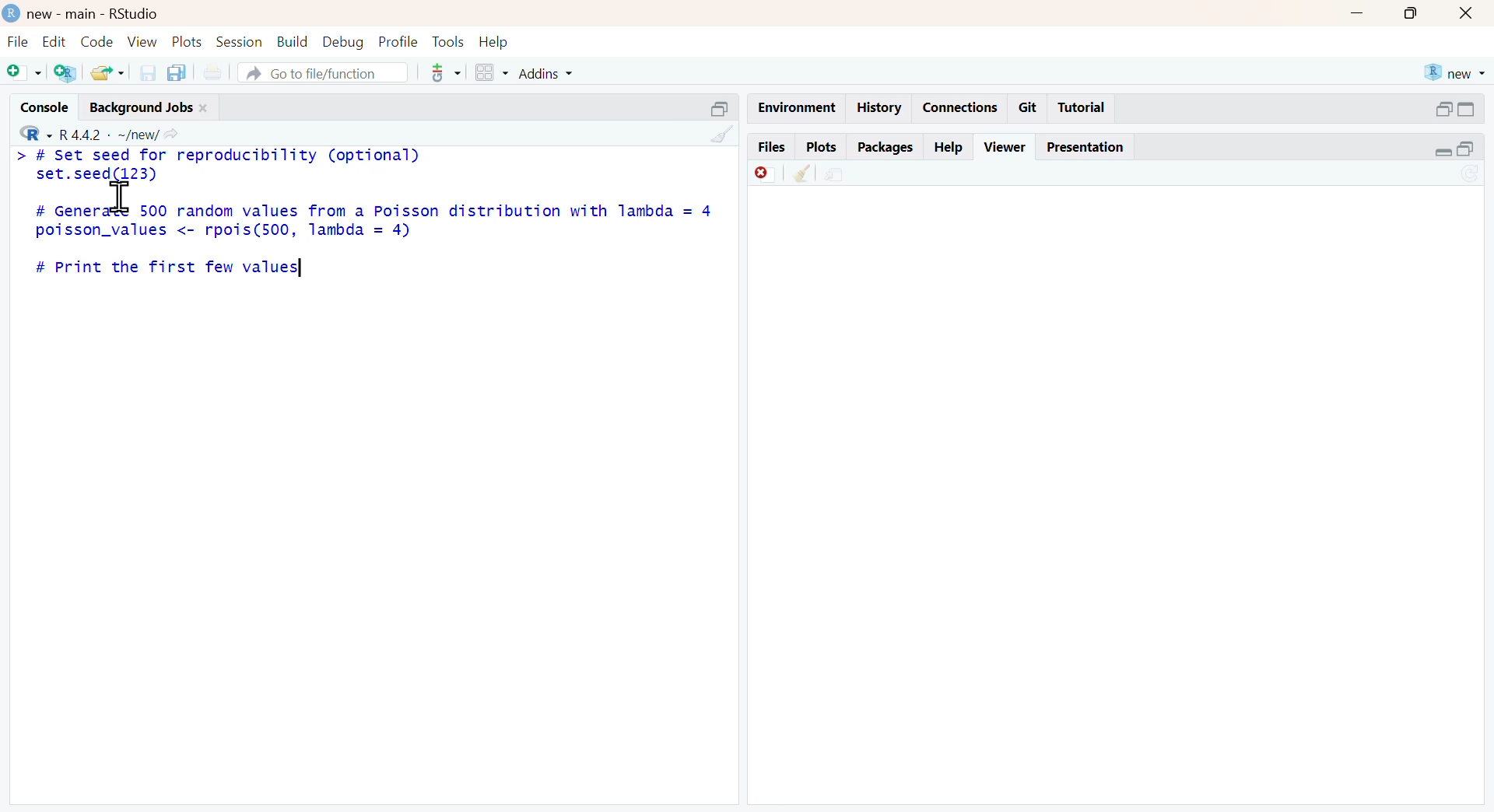 The image size is (1494, 812). What do you see at coordinates (721, 110) in the screenshot?
I see `open in separate window` at bounding box center [721, 110].